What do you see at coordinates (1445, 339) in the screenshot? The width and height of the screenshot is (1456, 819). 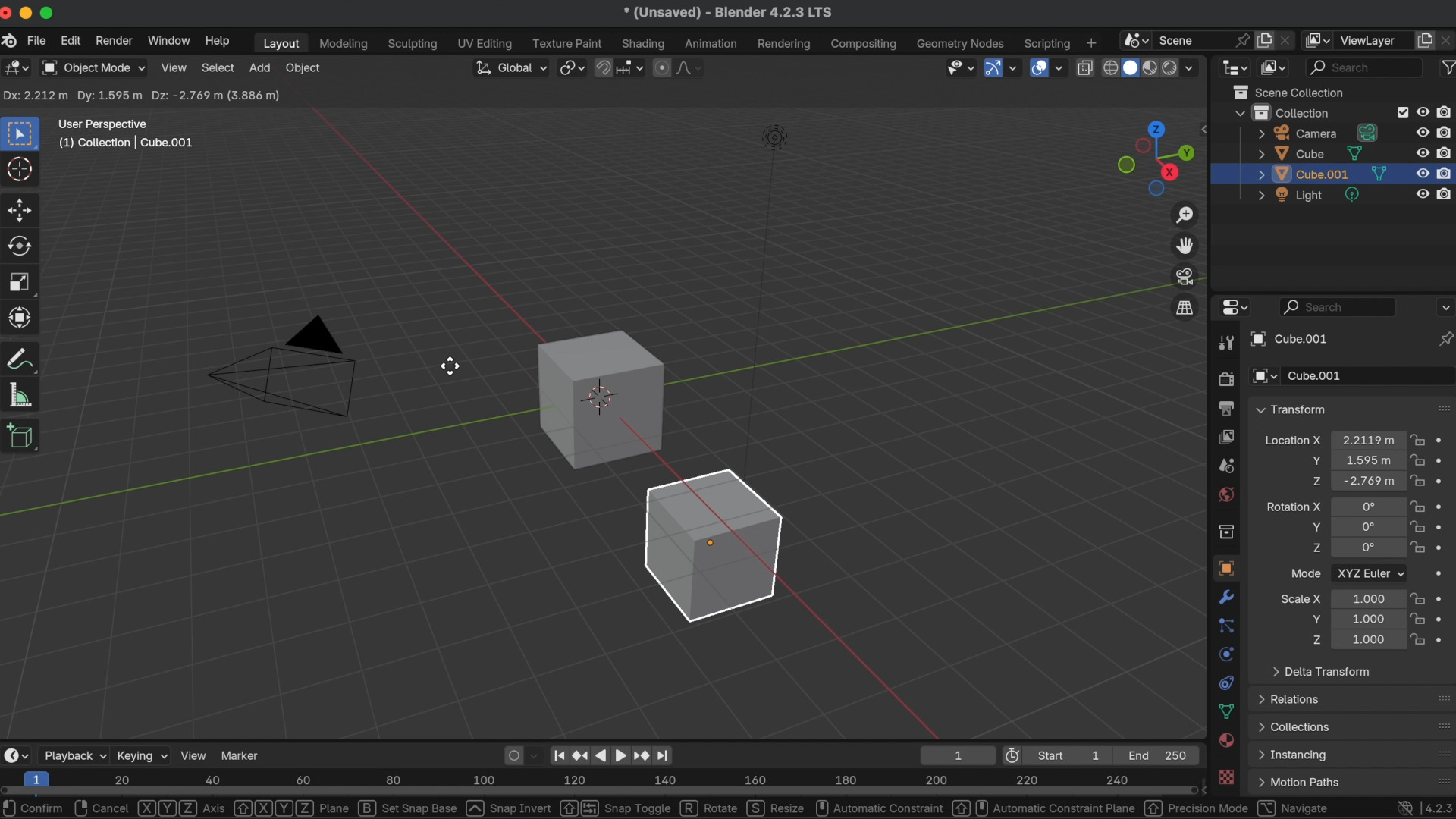 I see `toggle pin ID` at bounding box center [1445, 339].